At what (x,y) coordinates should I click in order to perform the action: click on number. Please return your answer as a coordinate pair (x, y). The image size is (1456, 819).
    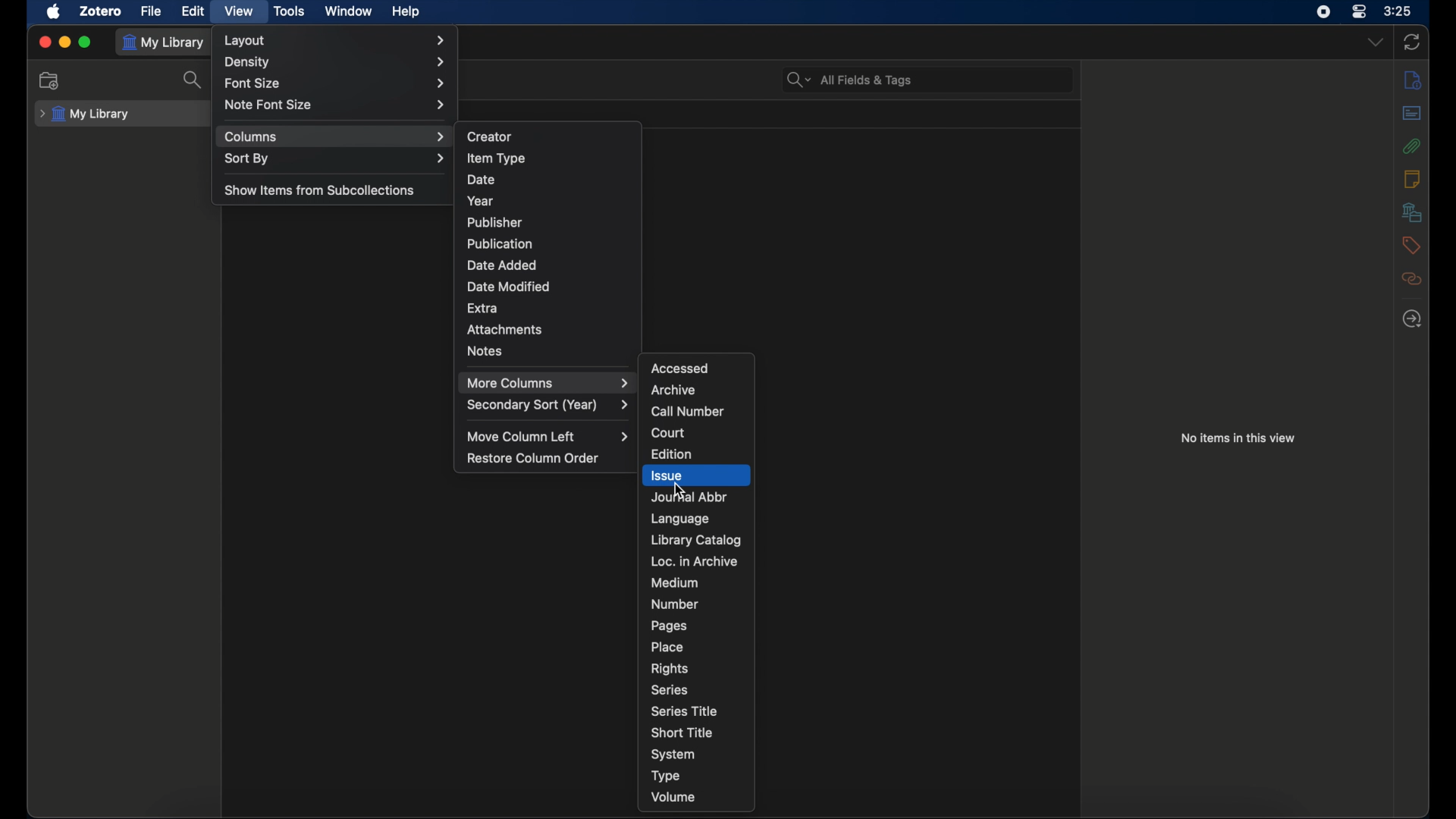
    Looking at the image, I should click on (674, 604).